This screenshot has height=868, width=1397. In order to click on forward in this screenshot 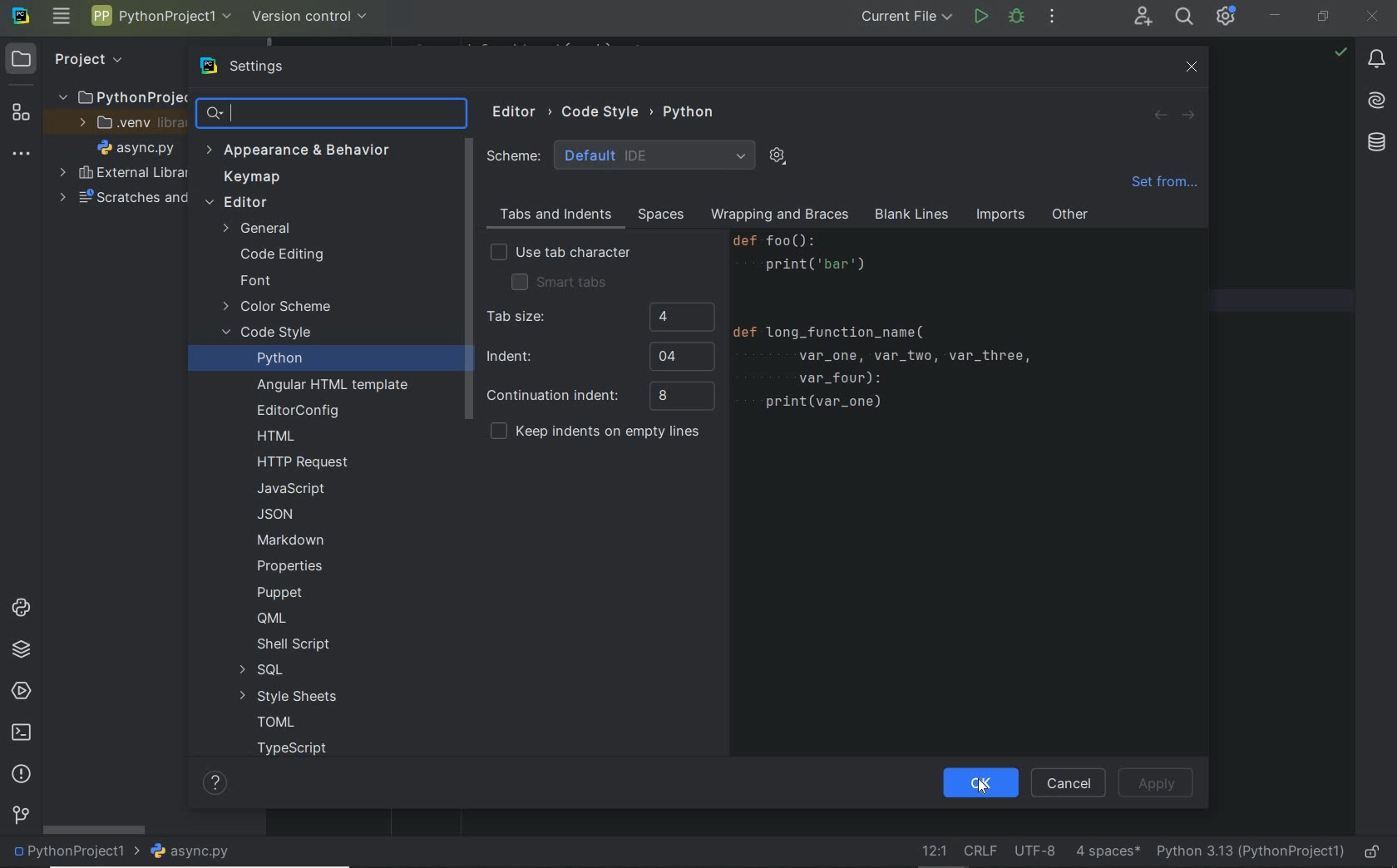, I will do `click(1186, 116)`.